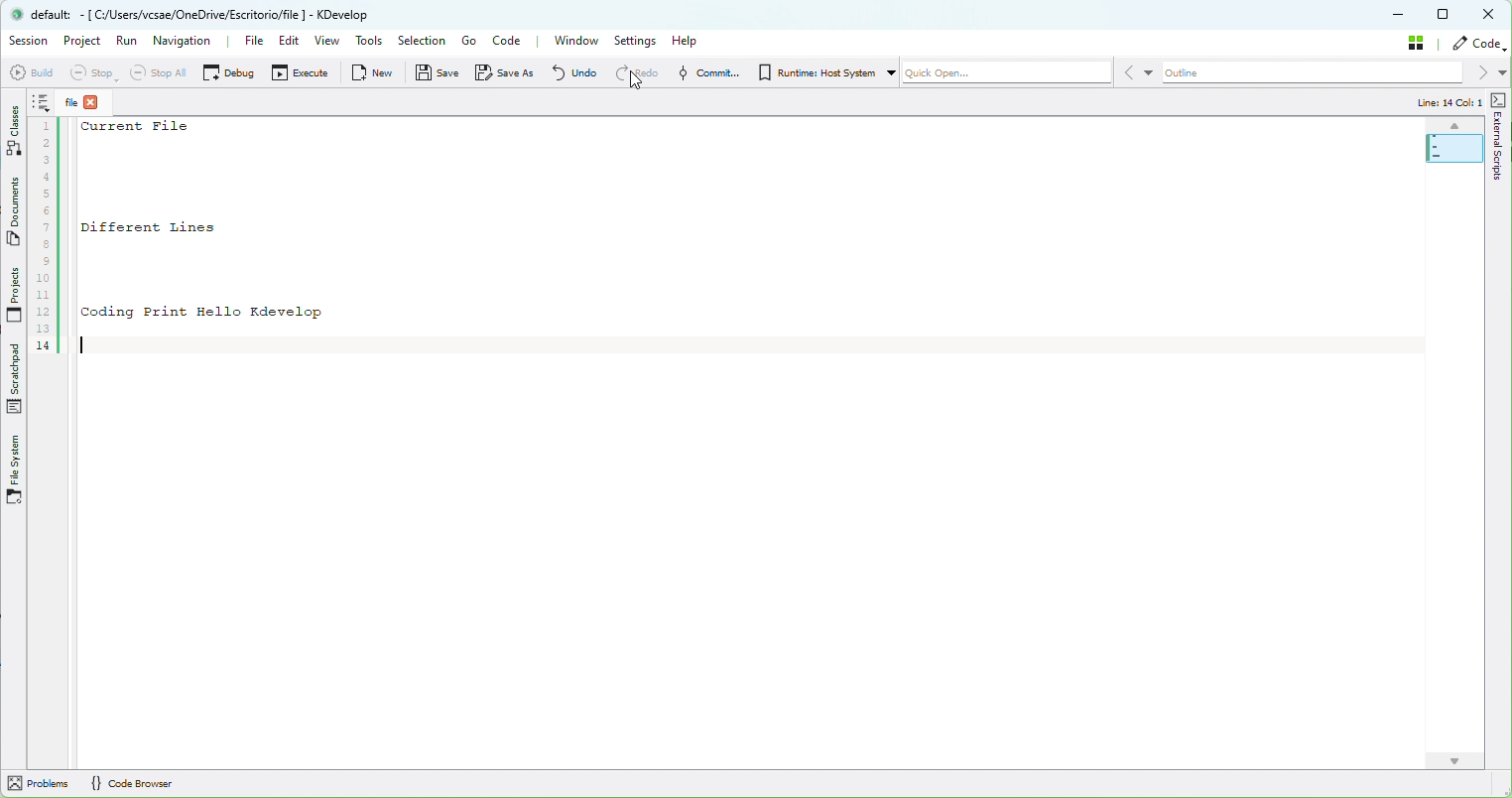 The height and width of the screenshot is (798, 1512). Describe the element at coordinates (18, 467) in the screenshot. I see `Files System` at that location.